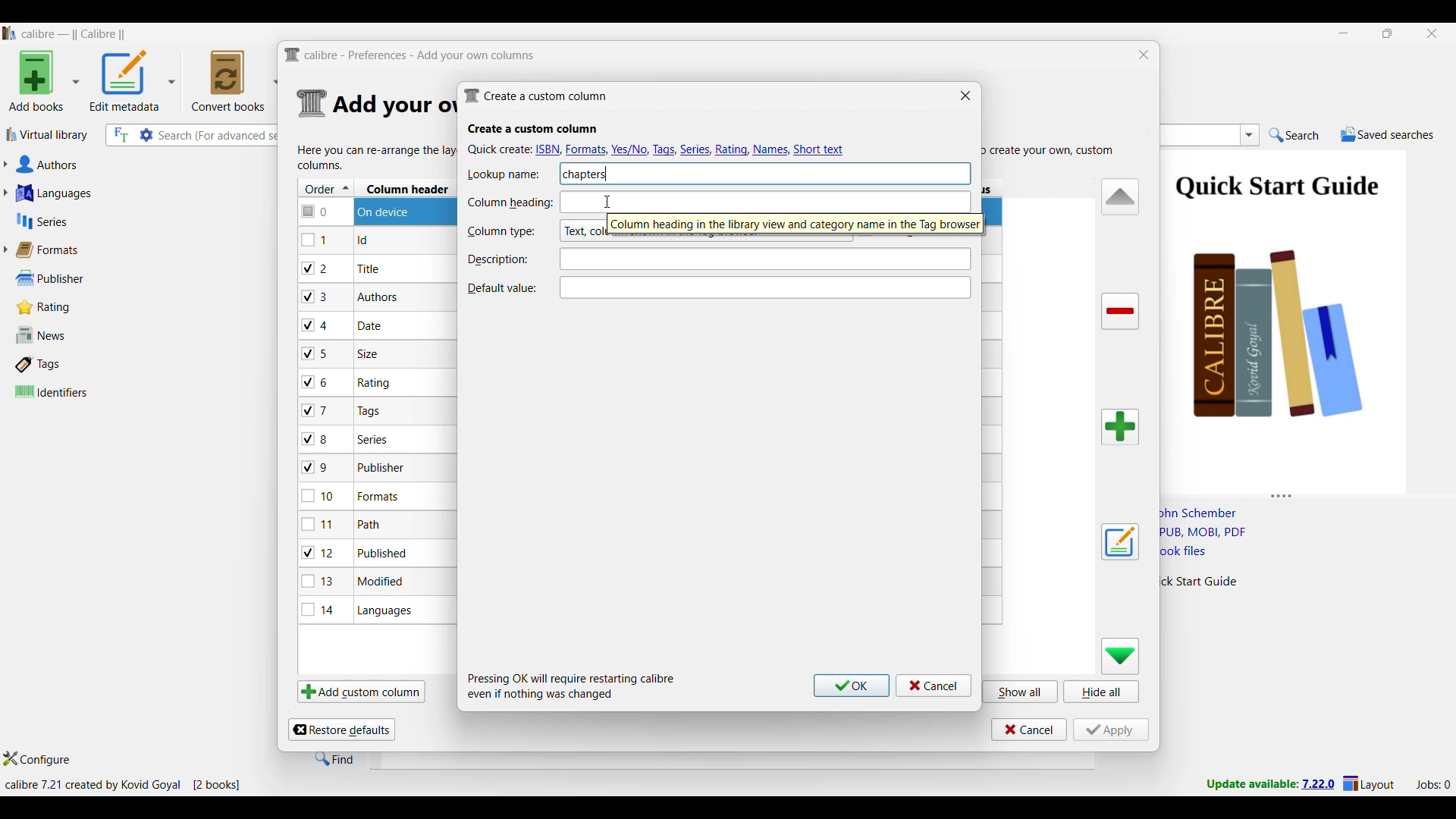 Image resolution: width=1456 pixels, height=819 pixels. What do you see at coordinates (133, 80) in the screenshot?
I see `Options to edit metadata` at bounding box center [133, 80].